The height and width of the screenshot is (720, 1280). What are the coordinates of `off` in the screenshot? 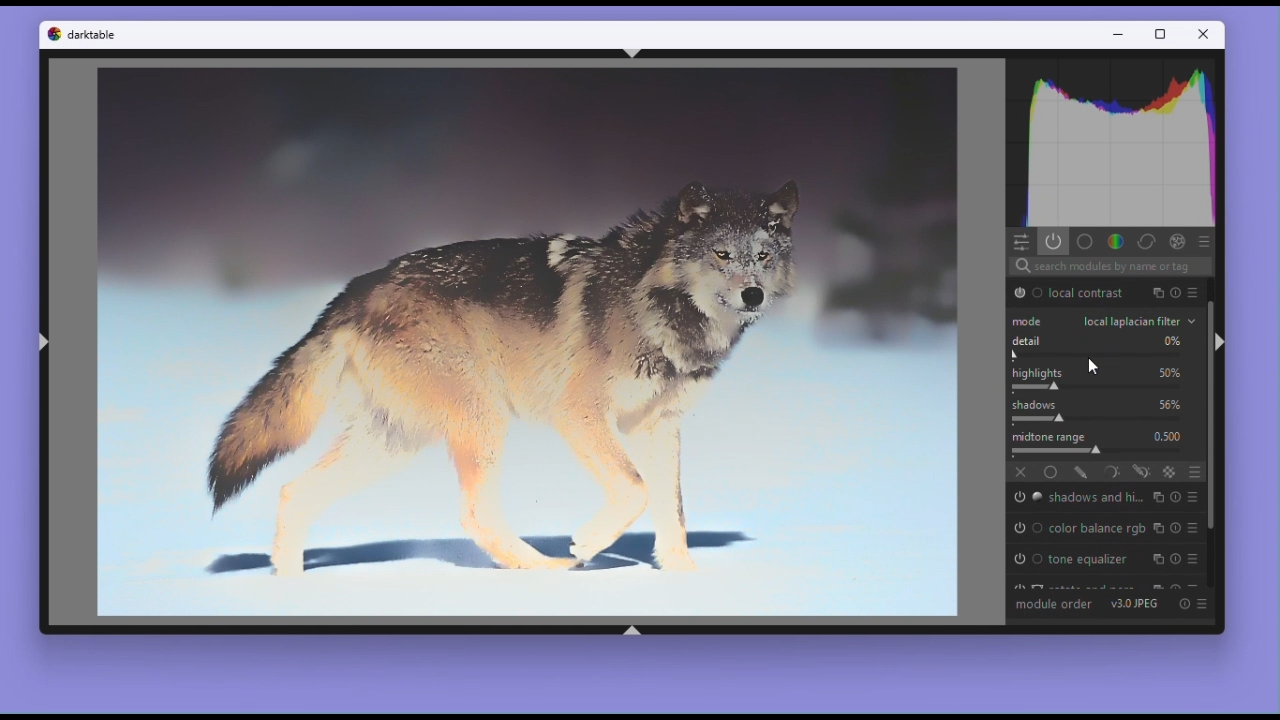 It's located at (1022, 471).